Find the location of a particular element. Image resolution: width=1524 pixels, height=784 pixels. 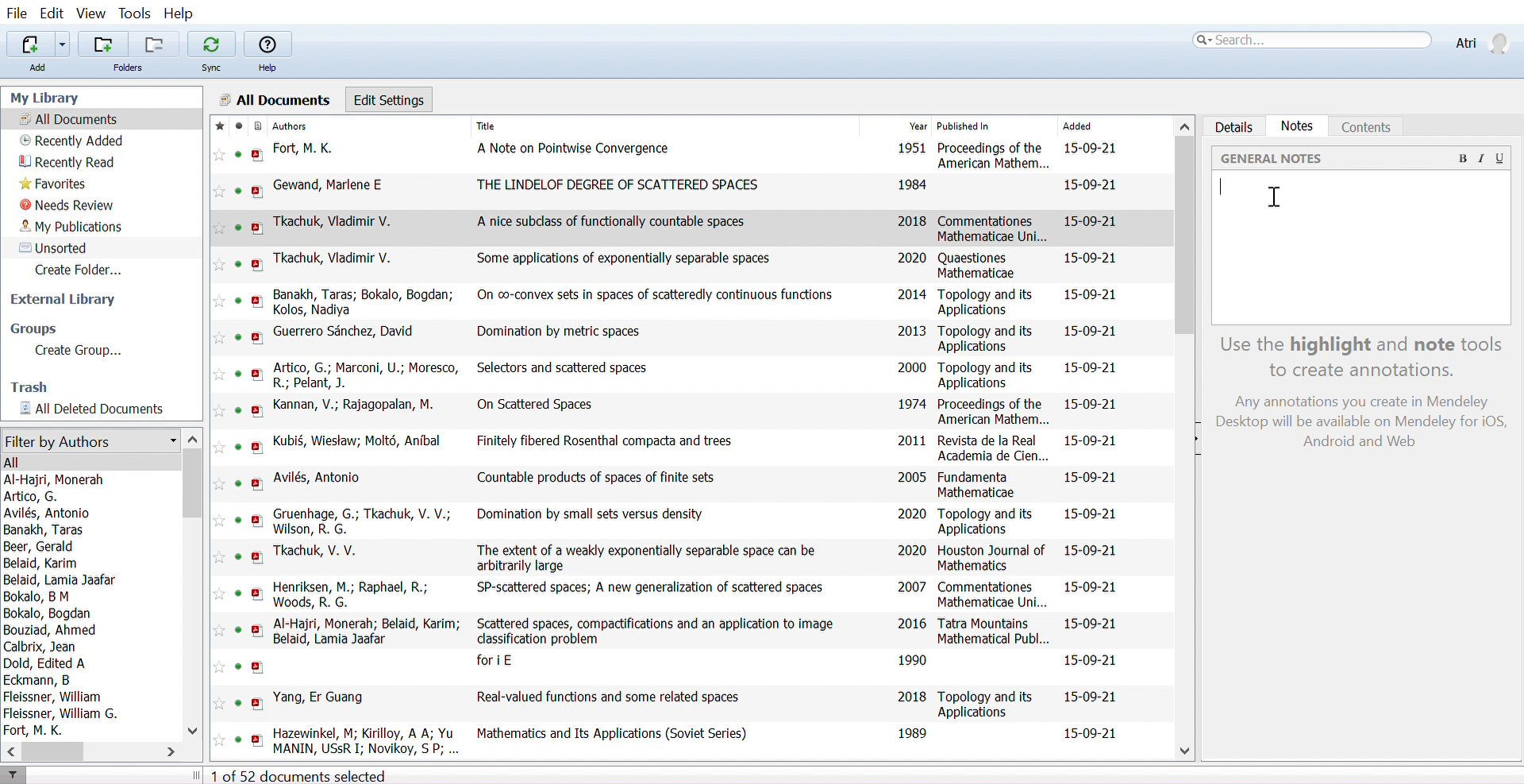

1984 is located at coordinates (913, 184).